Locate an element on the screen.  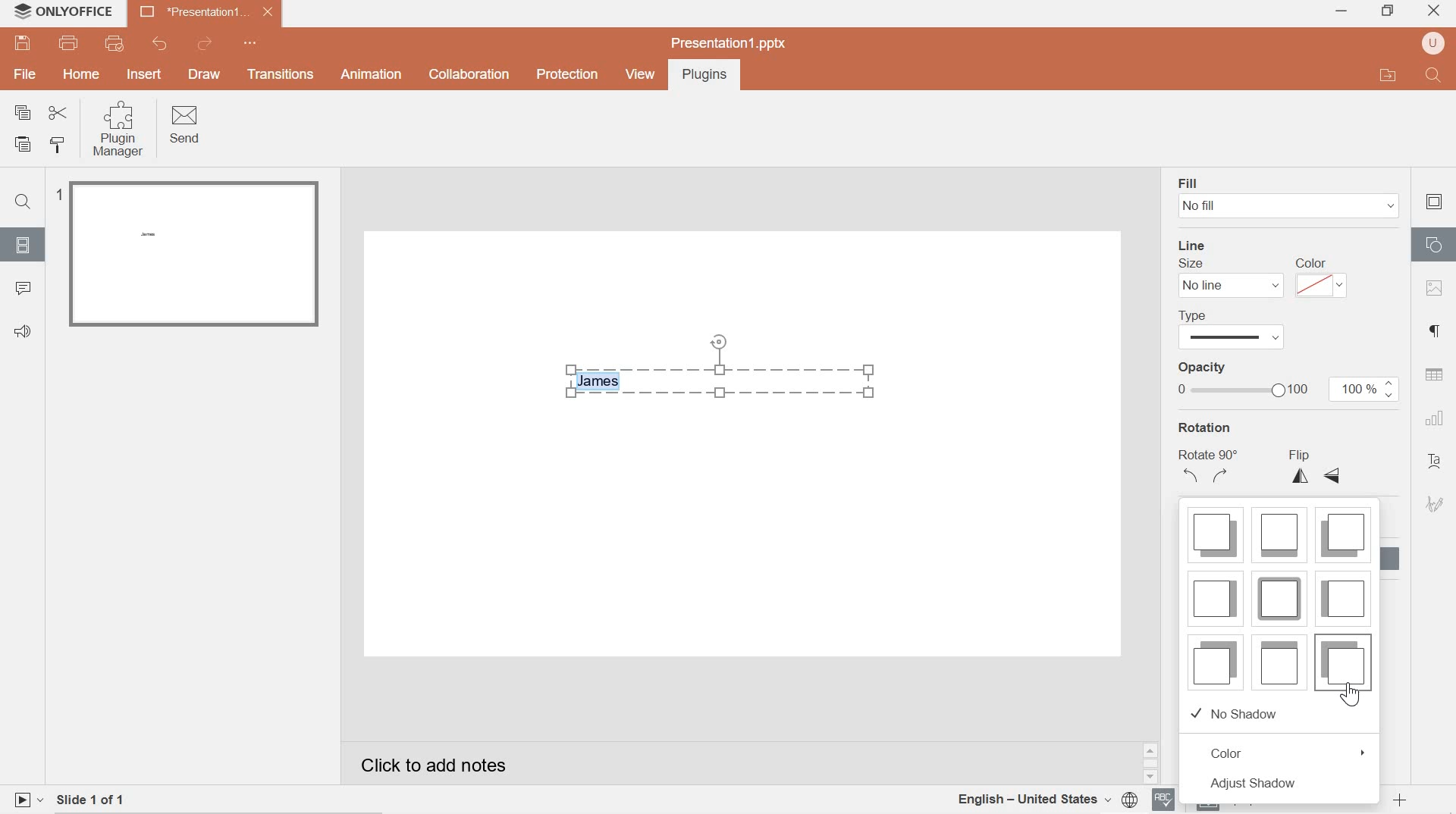
system logo is located at coordinates (21, 11).